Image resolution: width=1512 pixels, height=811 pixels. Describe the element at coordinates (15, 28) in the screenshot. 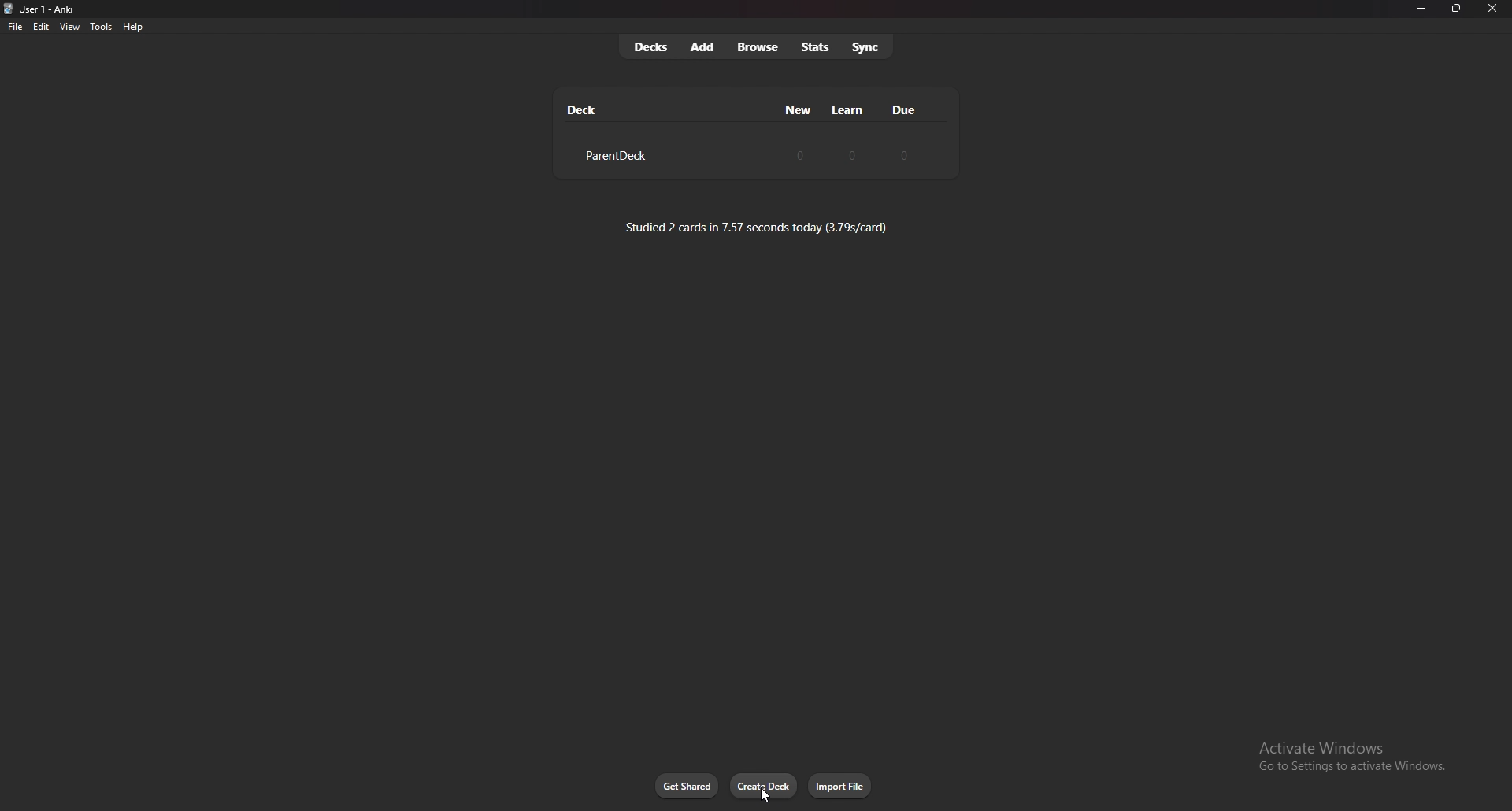

I see `file` at that location.